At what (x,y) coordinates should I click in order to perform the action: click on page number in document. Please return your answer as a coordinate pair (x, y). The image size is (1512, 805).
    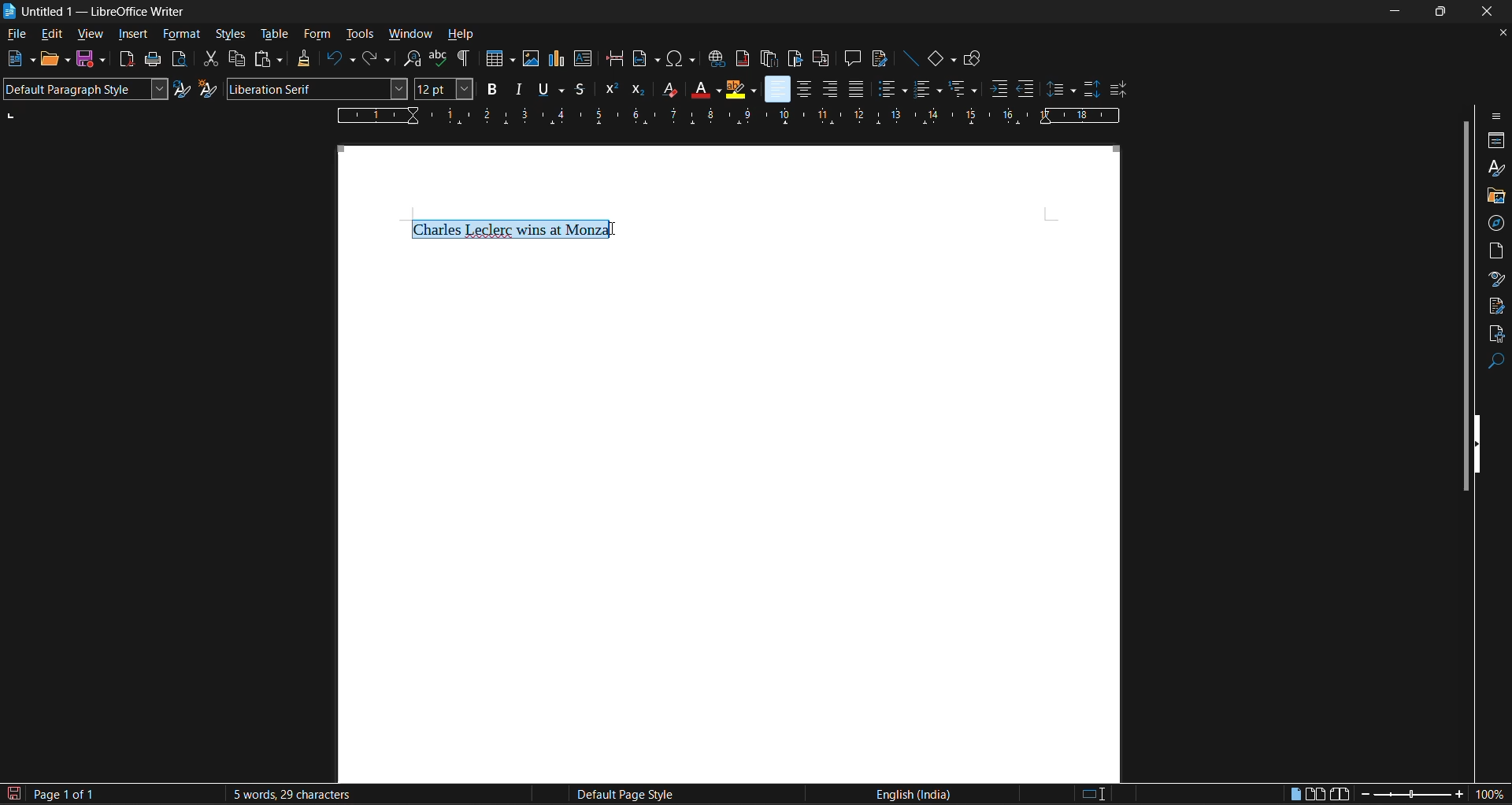
    Looking at the image, I should click on (66, 794).